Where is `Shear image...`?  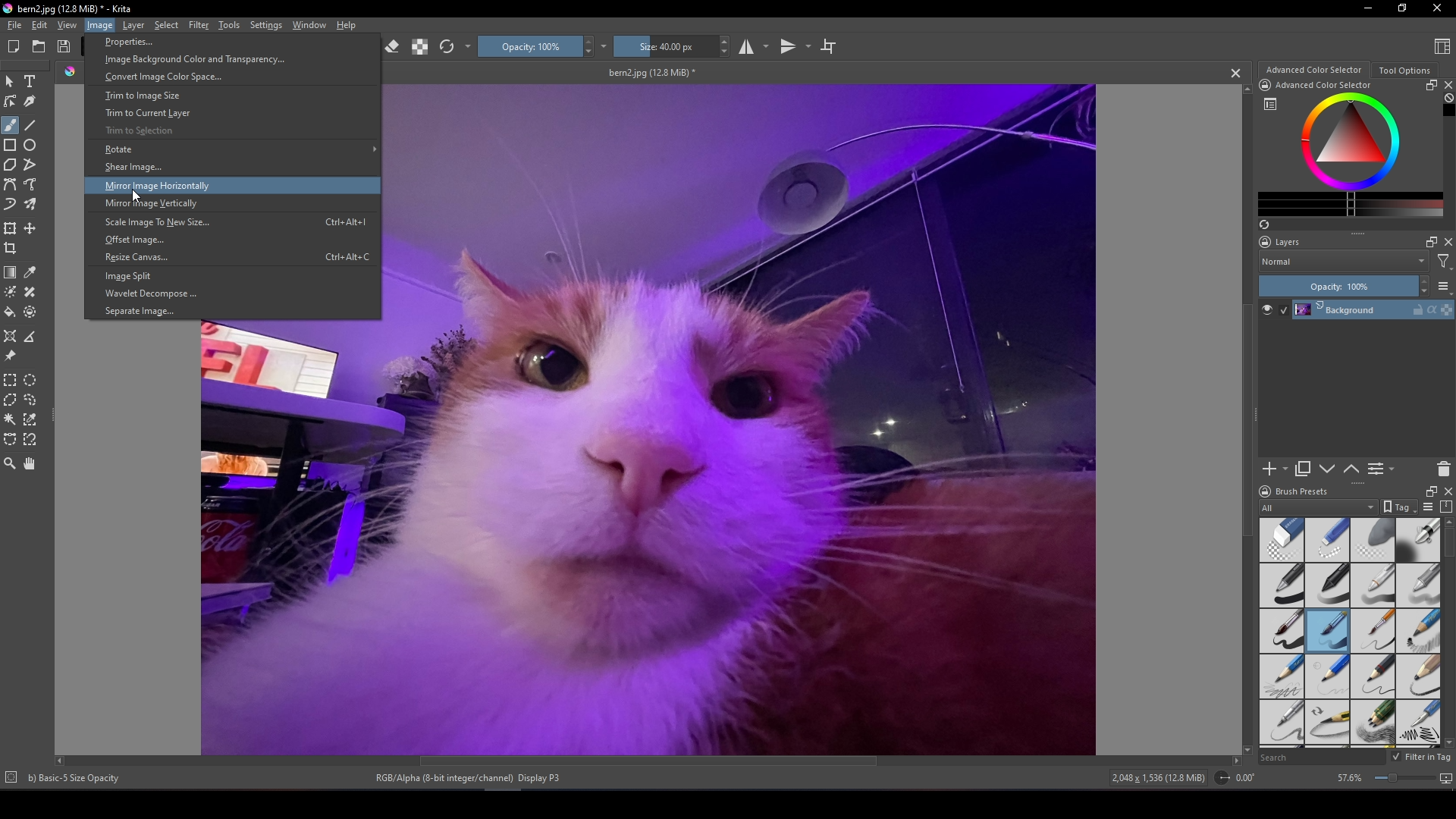 Shear image... is located at coordinates (233, 168).